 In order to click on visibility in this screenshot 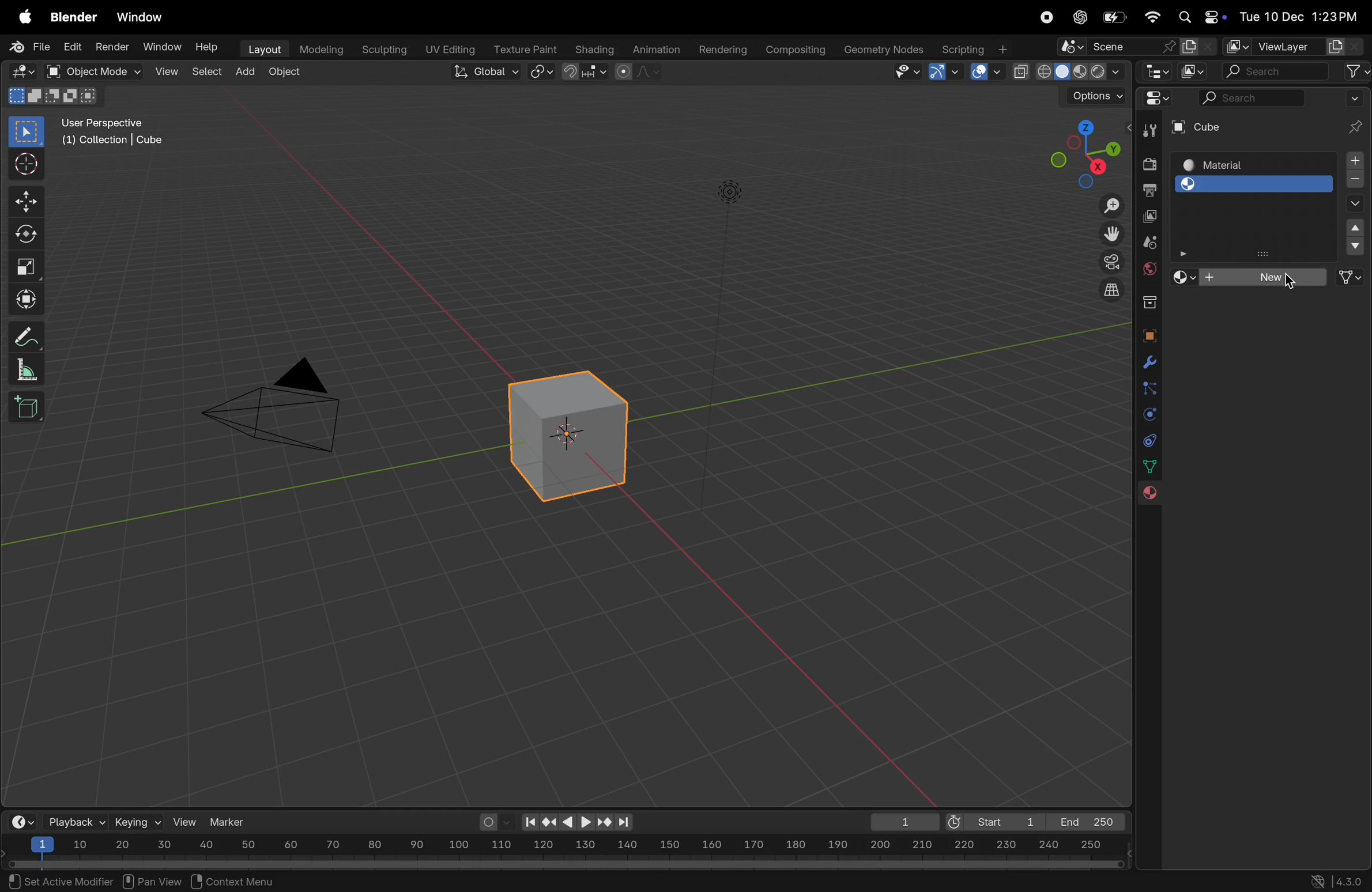, I will do `click(905, 73)`.